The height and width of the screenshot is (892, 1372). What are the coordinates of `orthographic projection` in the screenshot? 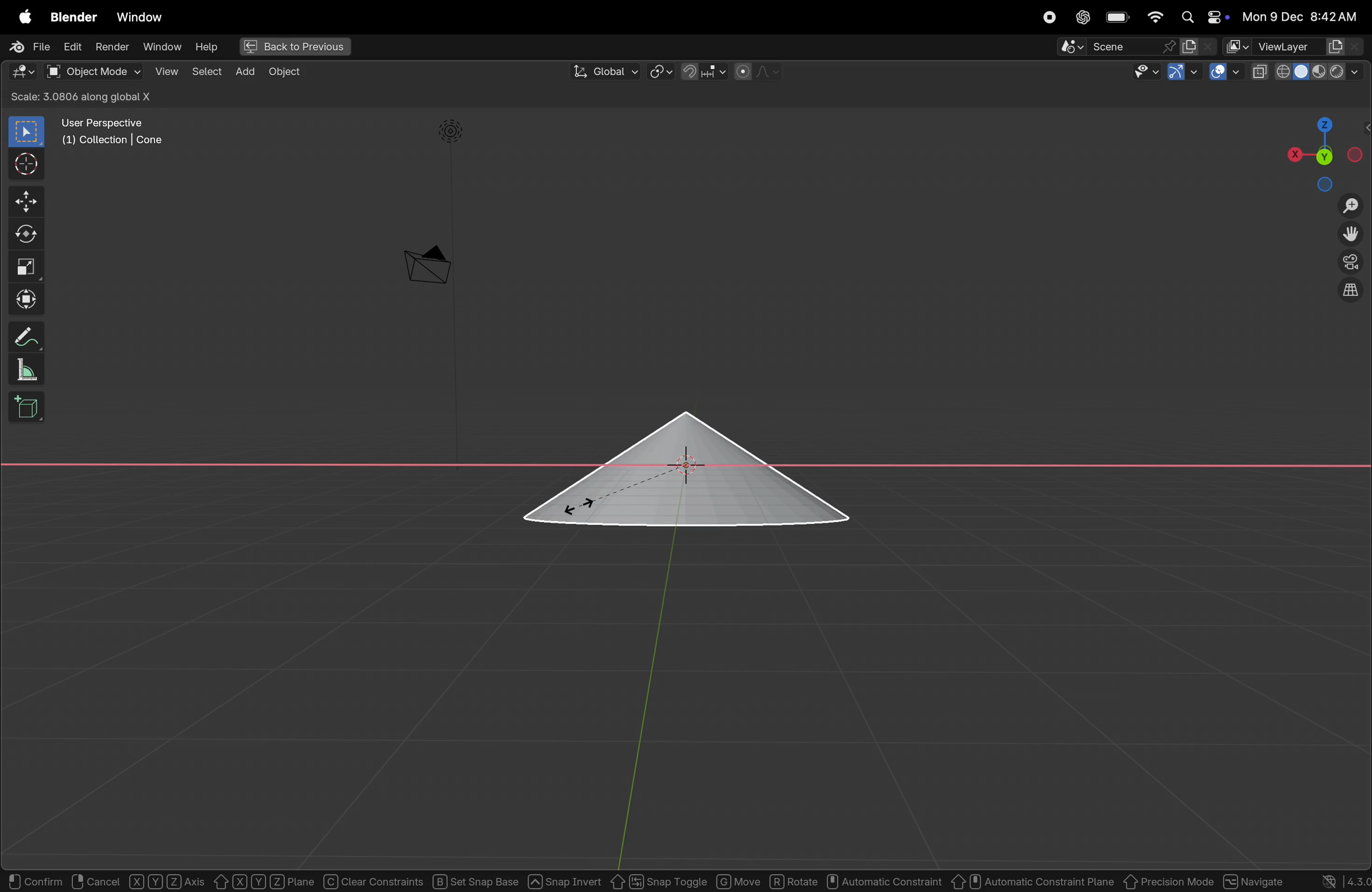 It's located at (1352, 290).